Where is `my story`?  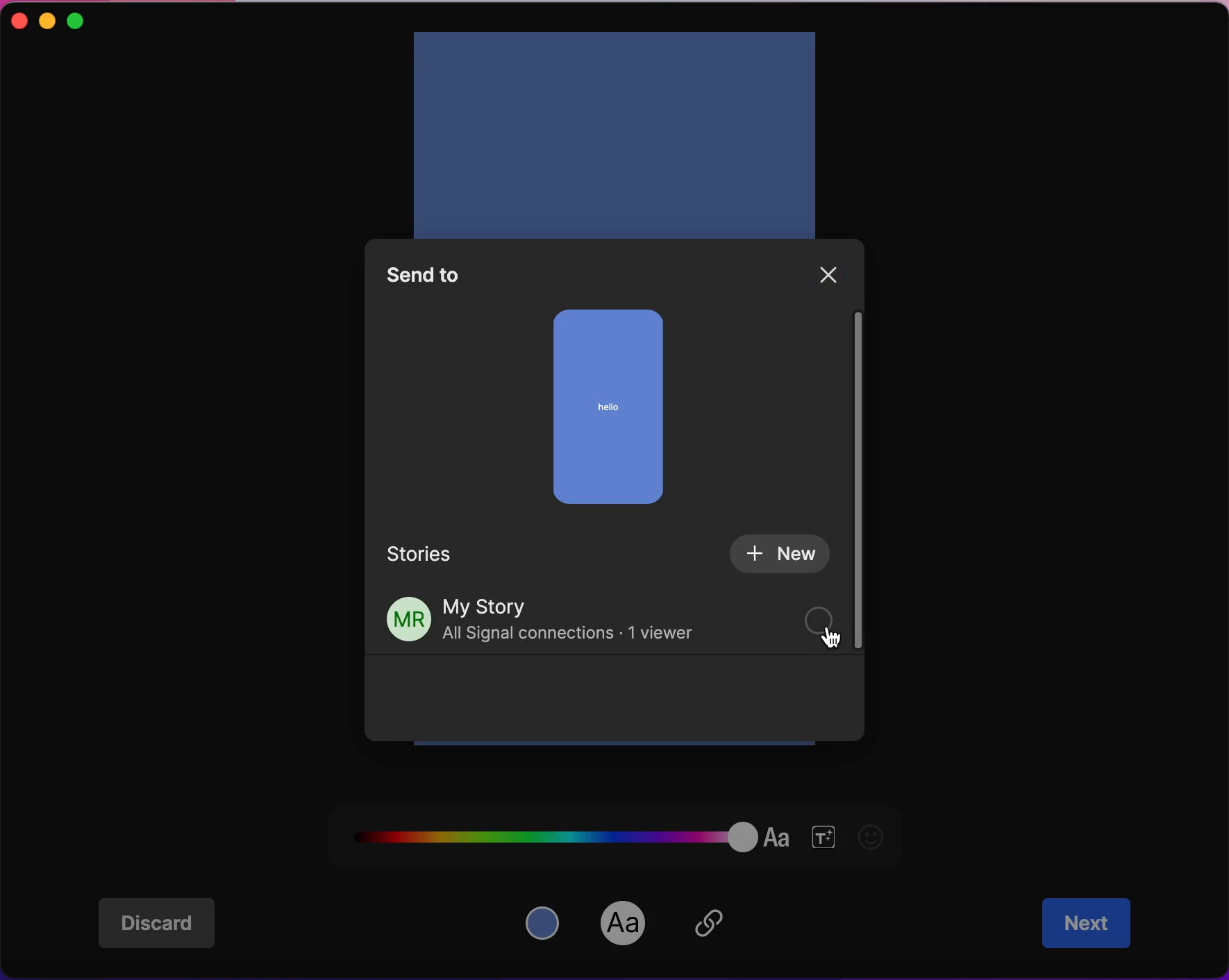
my story is located at coordinates (580, 605).